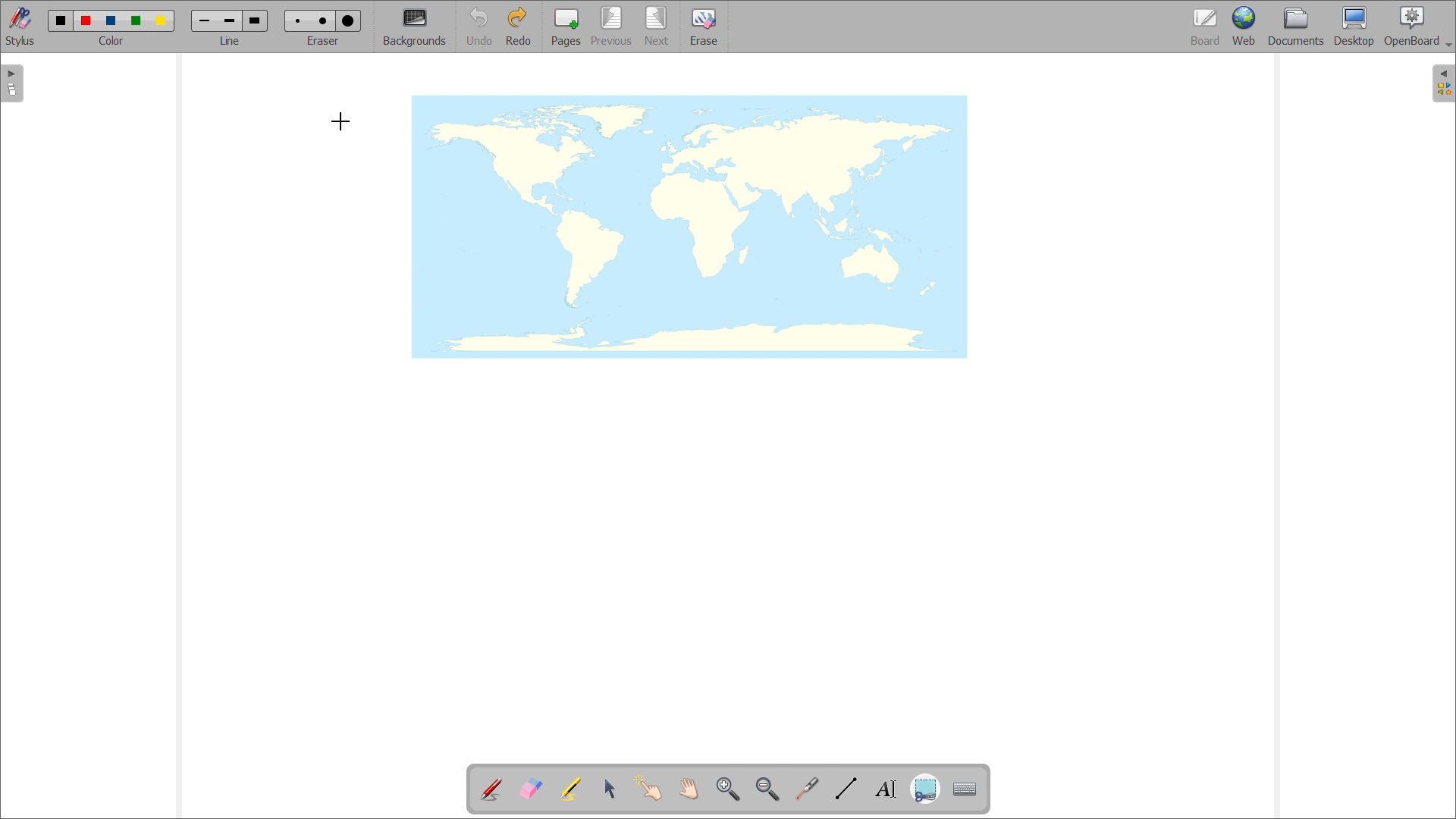  I want to click on highlights, so click(570, 789).